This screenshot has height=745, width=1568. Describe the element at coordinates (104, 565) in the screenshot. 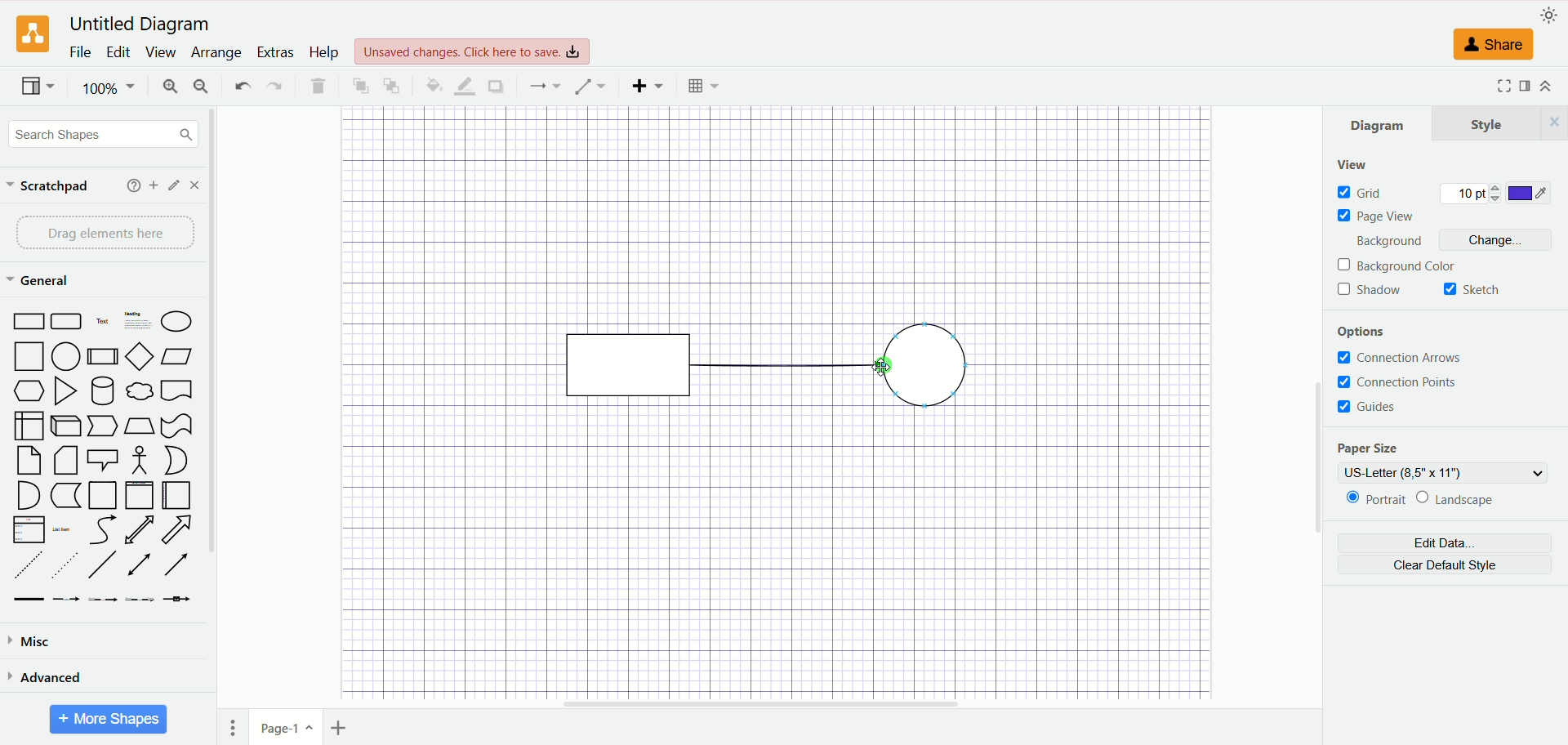

I see `Line` at that location.